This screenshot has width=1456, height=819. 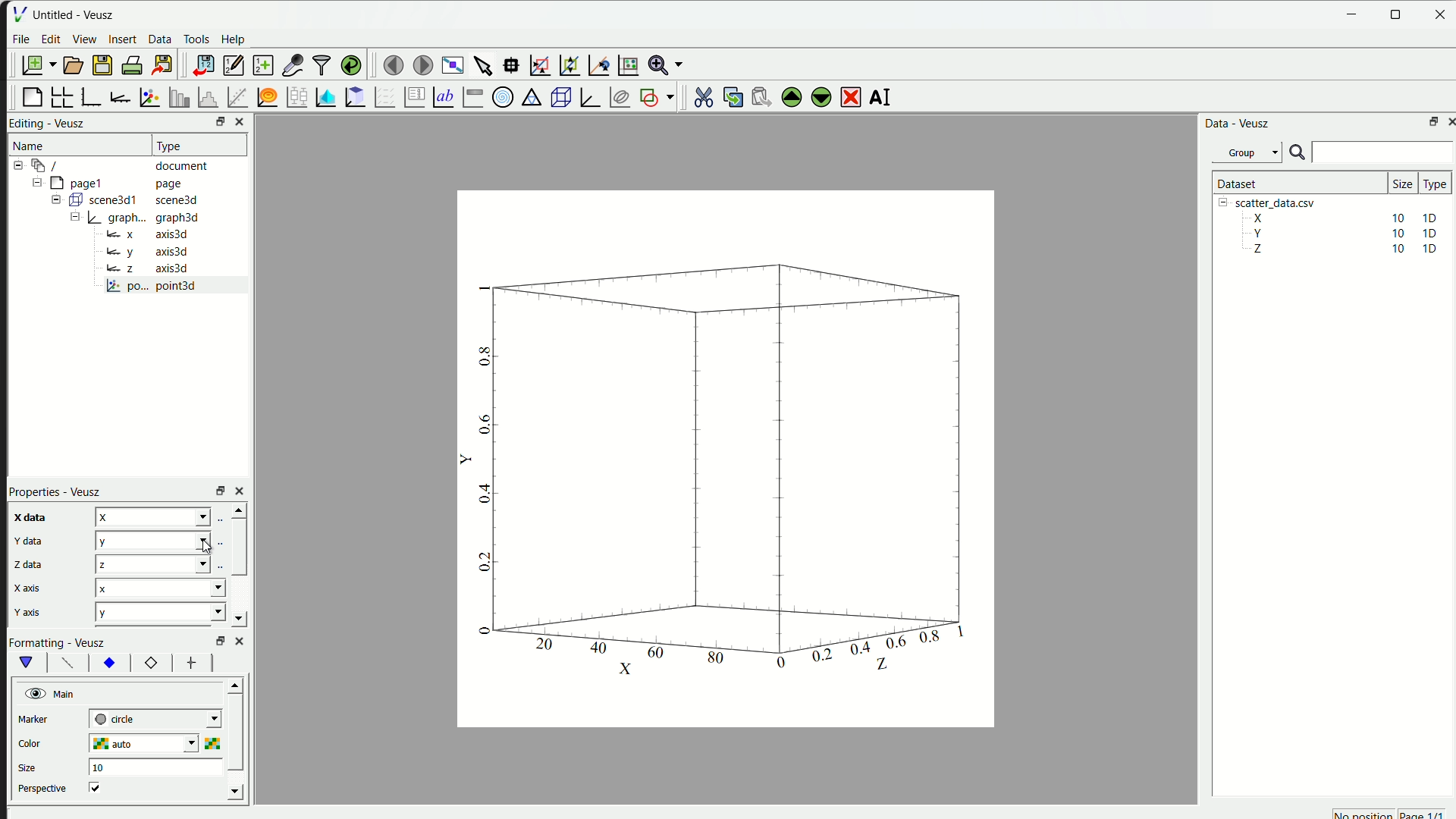 What do you see at coordinates (200, 65) in the screenshot?
I see `import data` at bounding box center [200, 65].